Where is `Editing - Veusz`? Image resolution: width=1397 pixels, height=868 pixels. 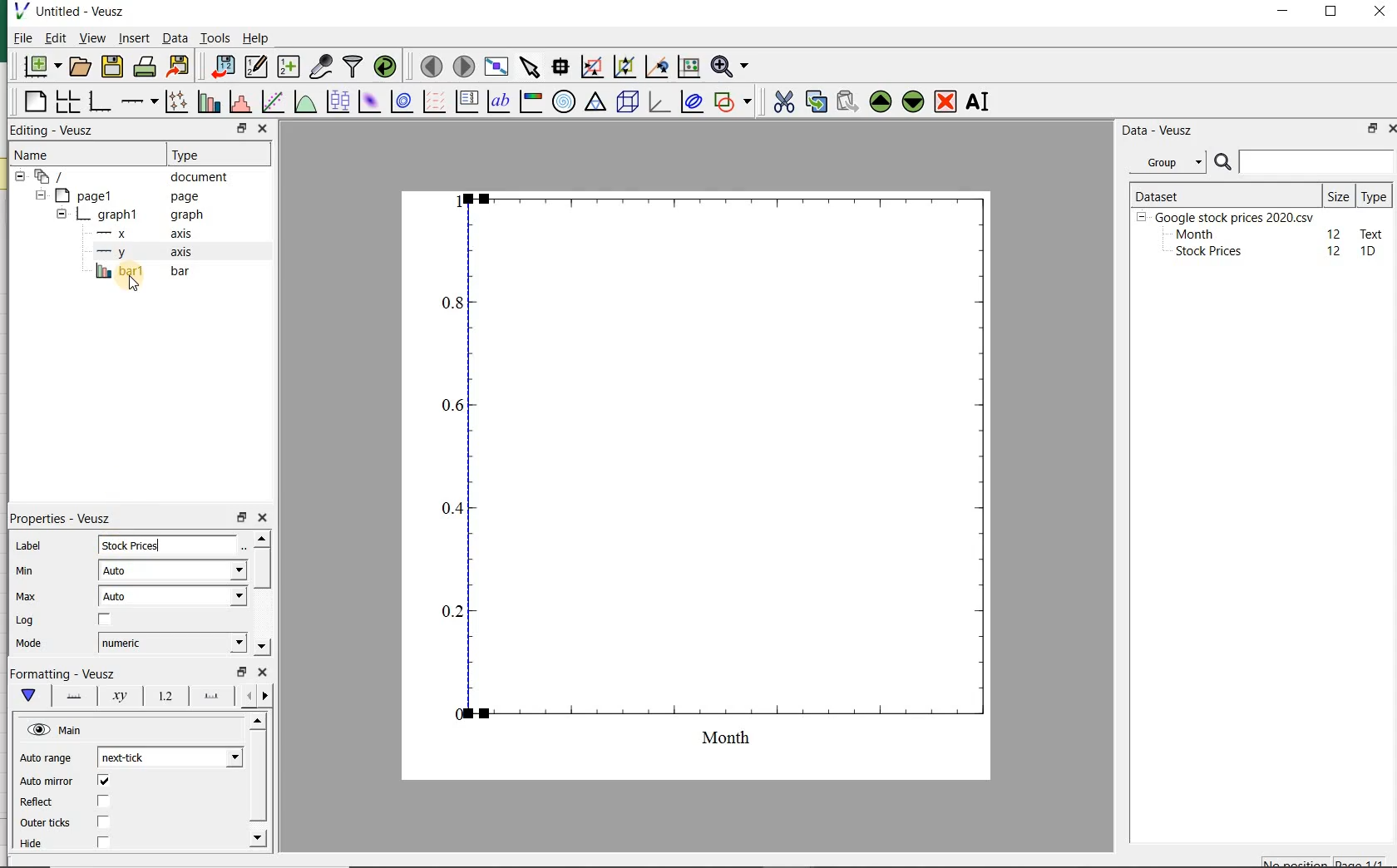 Editing - Veusz is located at coordinates (54, 131).